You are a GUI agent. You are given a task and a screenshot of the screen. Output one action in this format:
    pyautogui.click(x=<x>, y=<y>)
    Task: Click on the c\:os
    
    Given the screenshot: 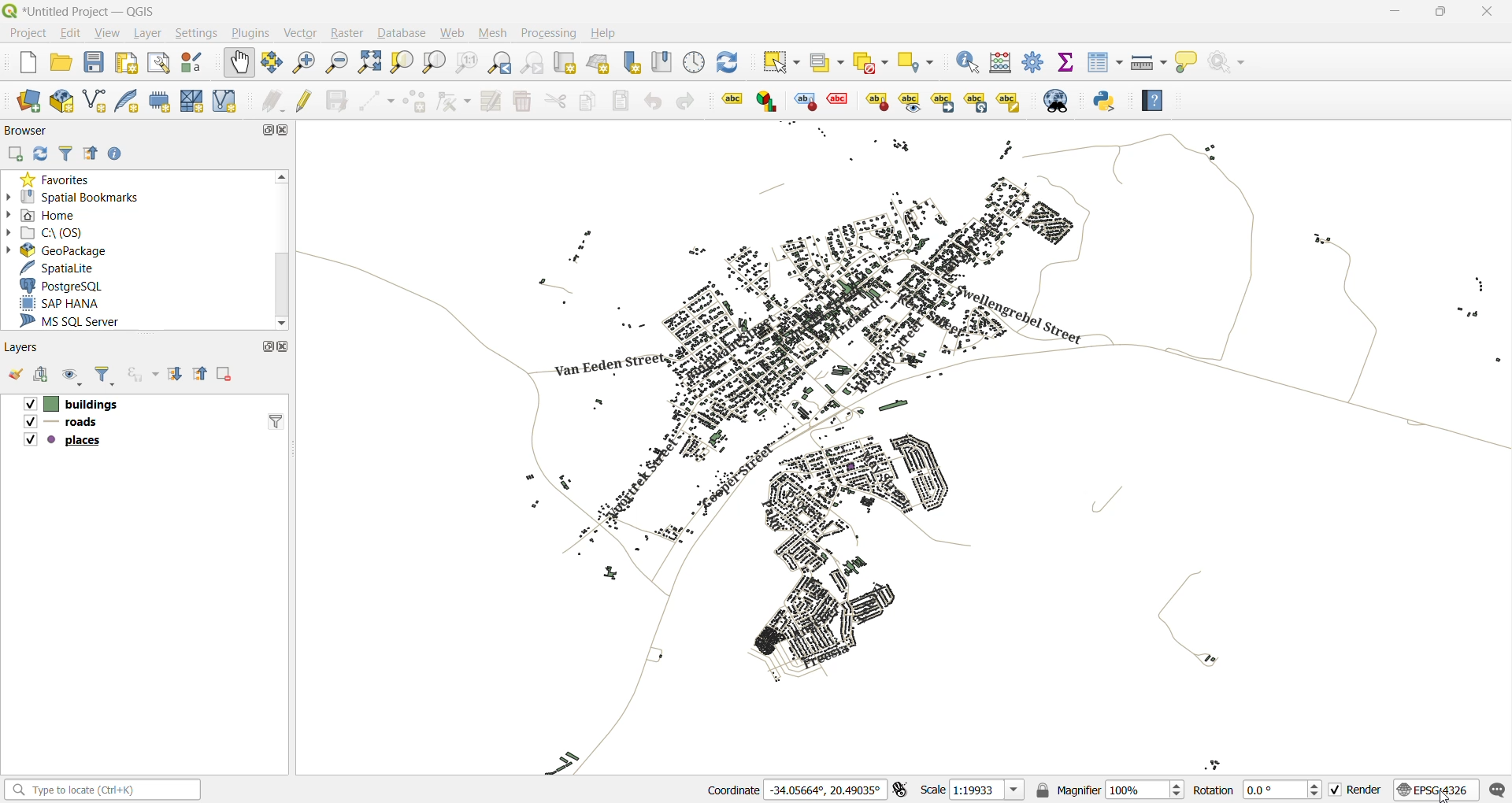 What is the action you would take?
    pyautogui.click(x=51, y=231)
    